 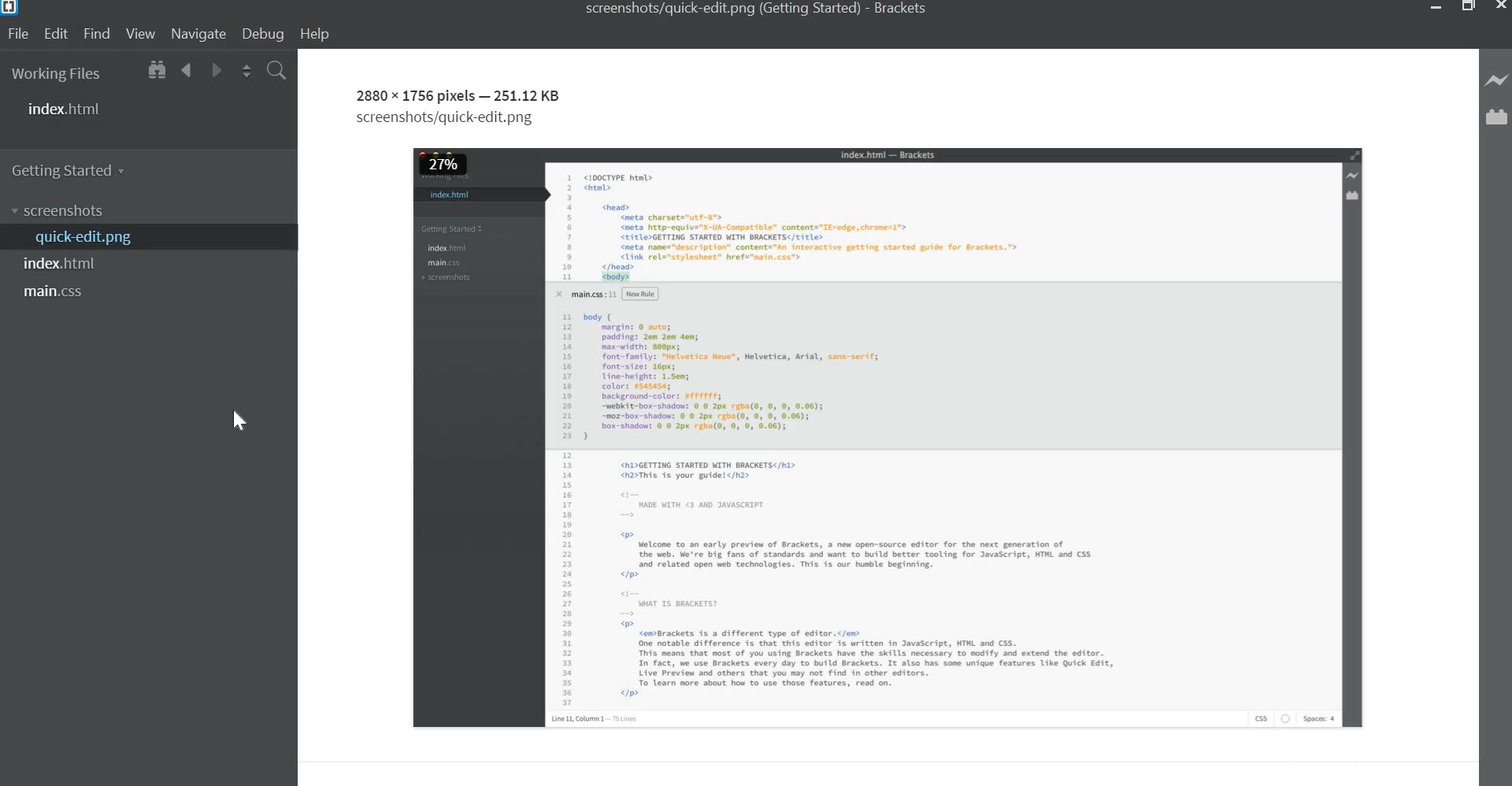 What do you see at coordinates (265, 34) in the screenshot?
I see `Debug` at bounding box center [265, 34].